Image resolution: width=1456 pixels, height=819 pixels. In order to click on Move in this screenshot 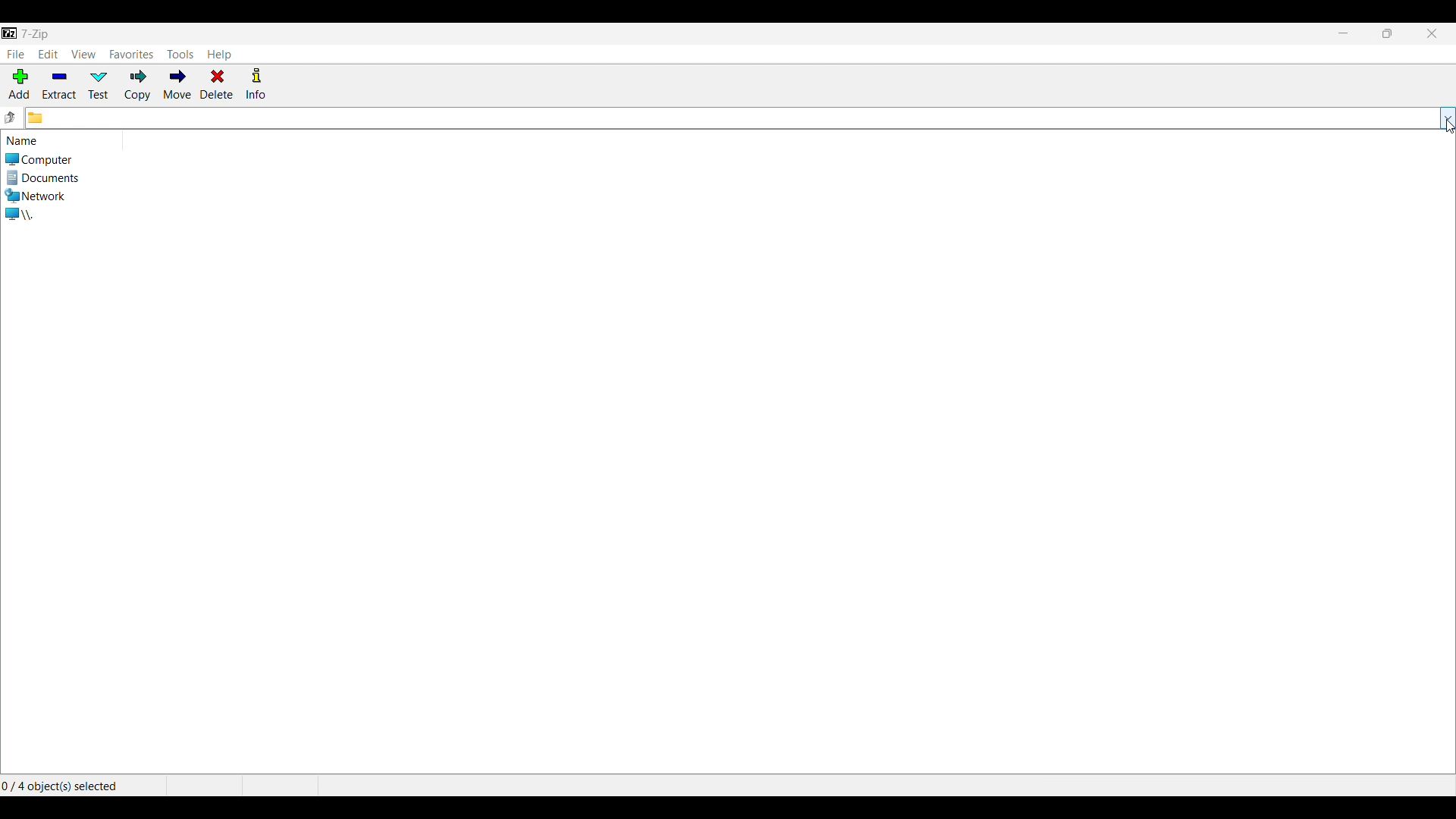, I will do `click(177, 84)`.